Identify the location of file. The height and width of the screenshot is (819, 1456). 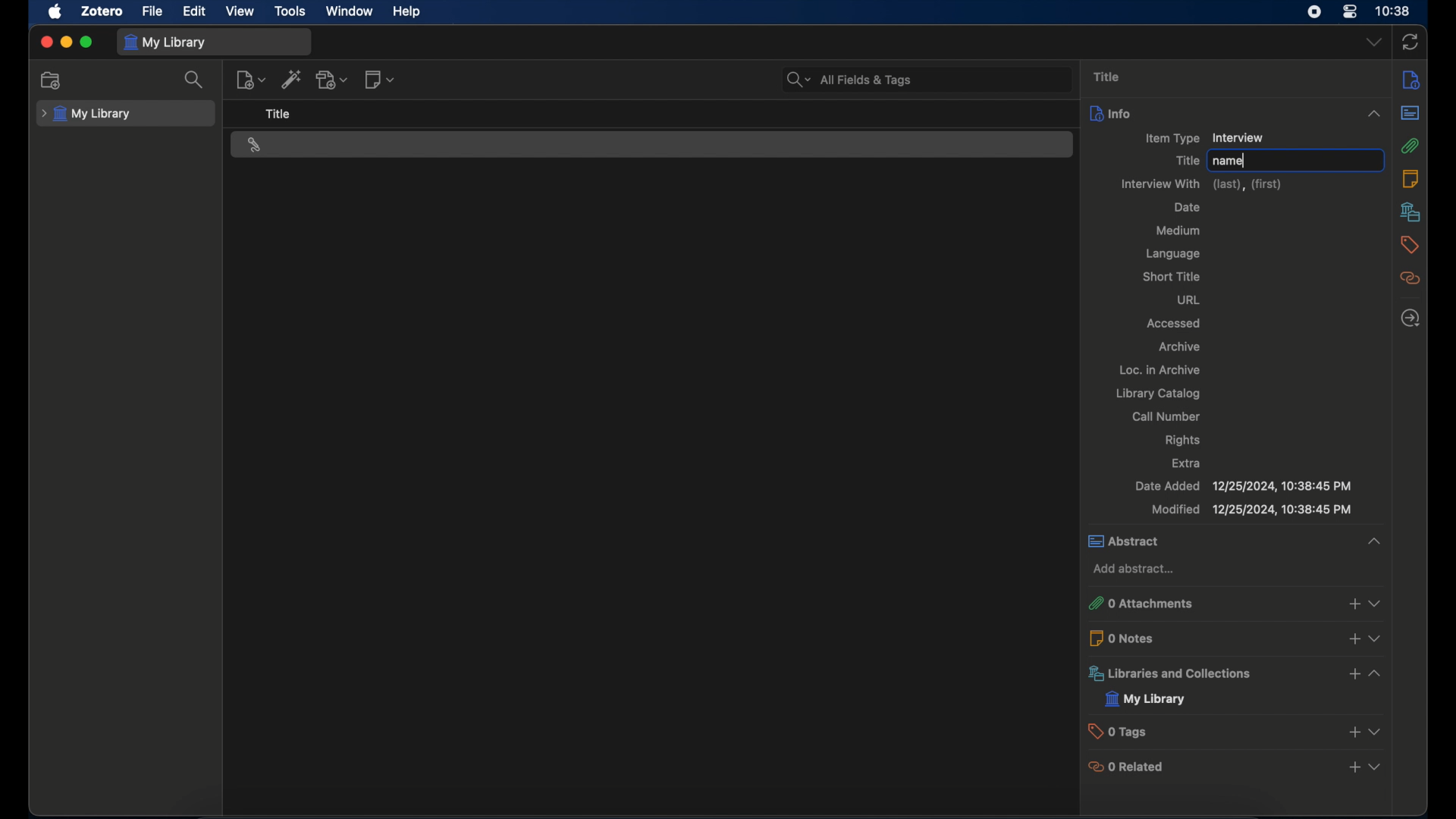
(153, 12).